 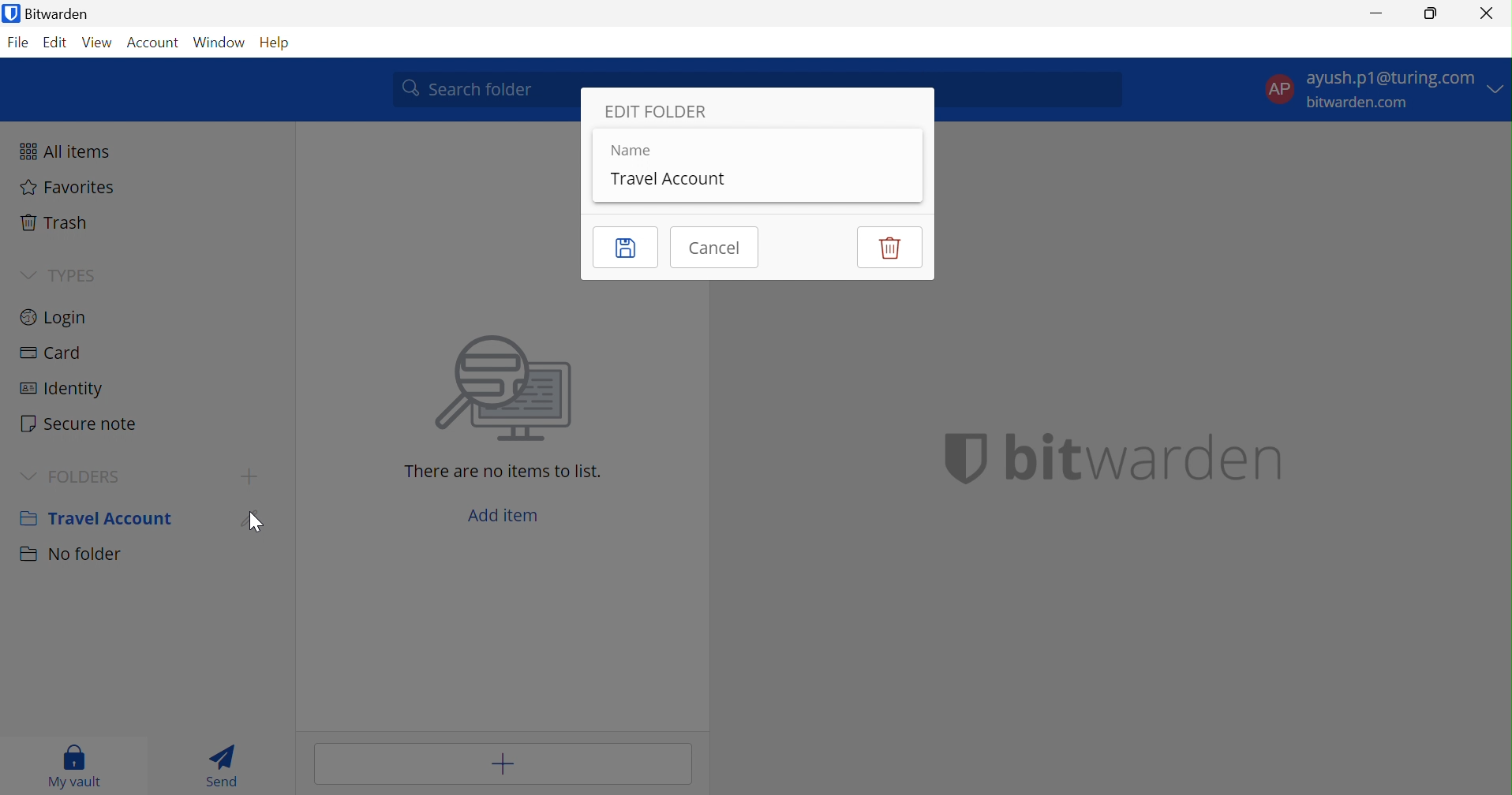 What do you see at coordinates (254, 526) in the screenshot?
I see `cursor` at bounding box center [254, 526].